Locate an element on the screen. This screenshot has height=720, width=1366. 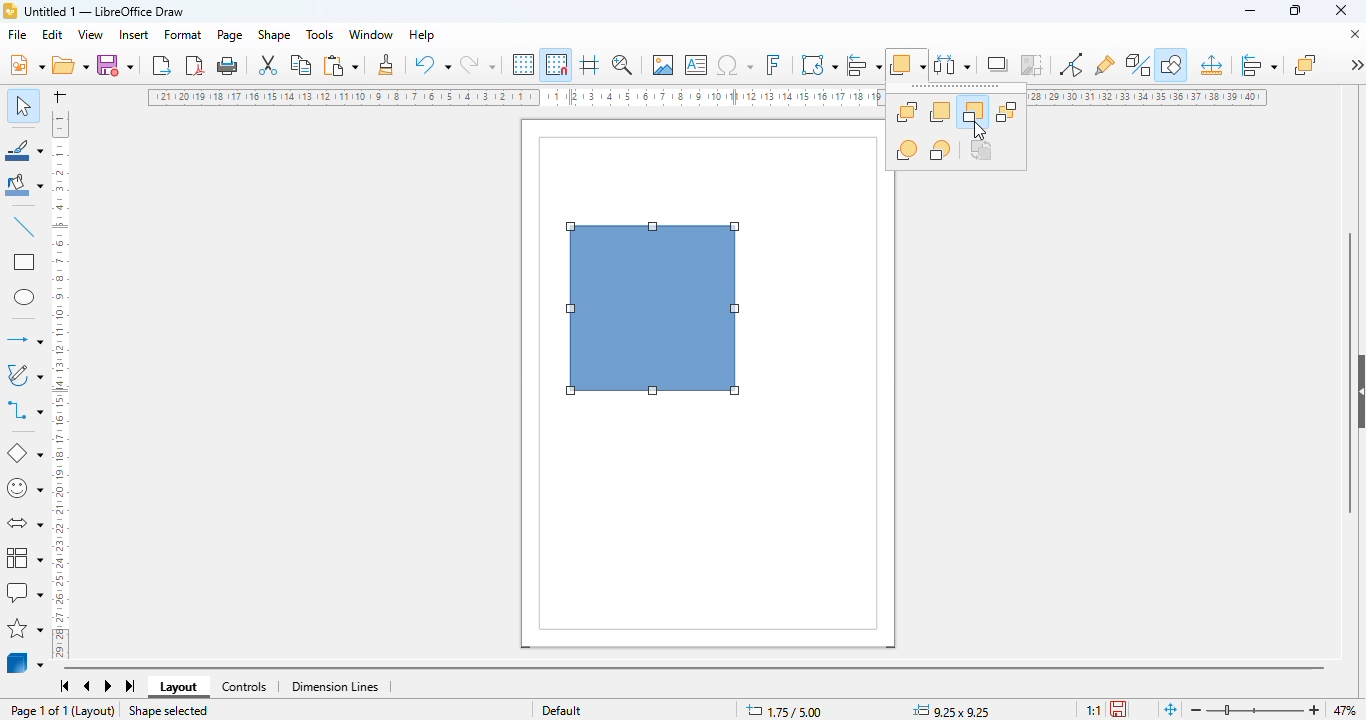
more options is located at coordinates (1356, 64).